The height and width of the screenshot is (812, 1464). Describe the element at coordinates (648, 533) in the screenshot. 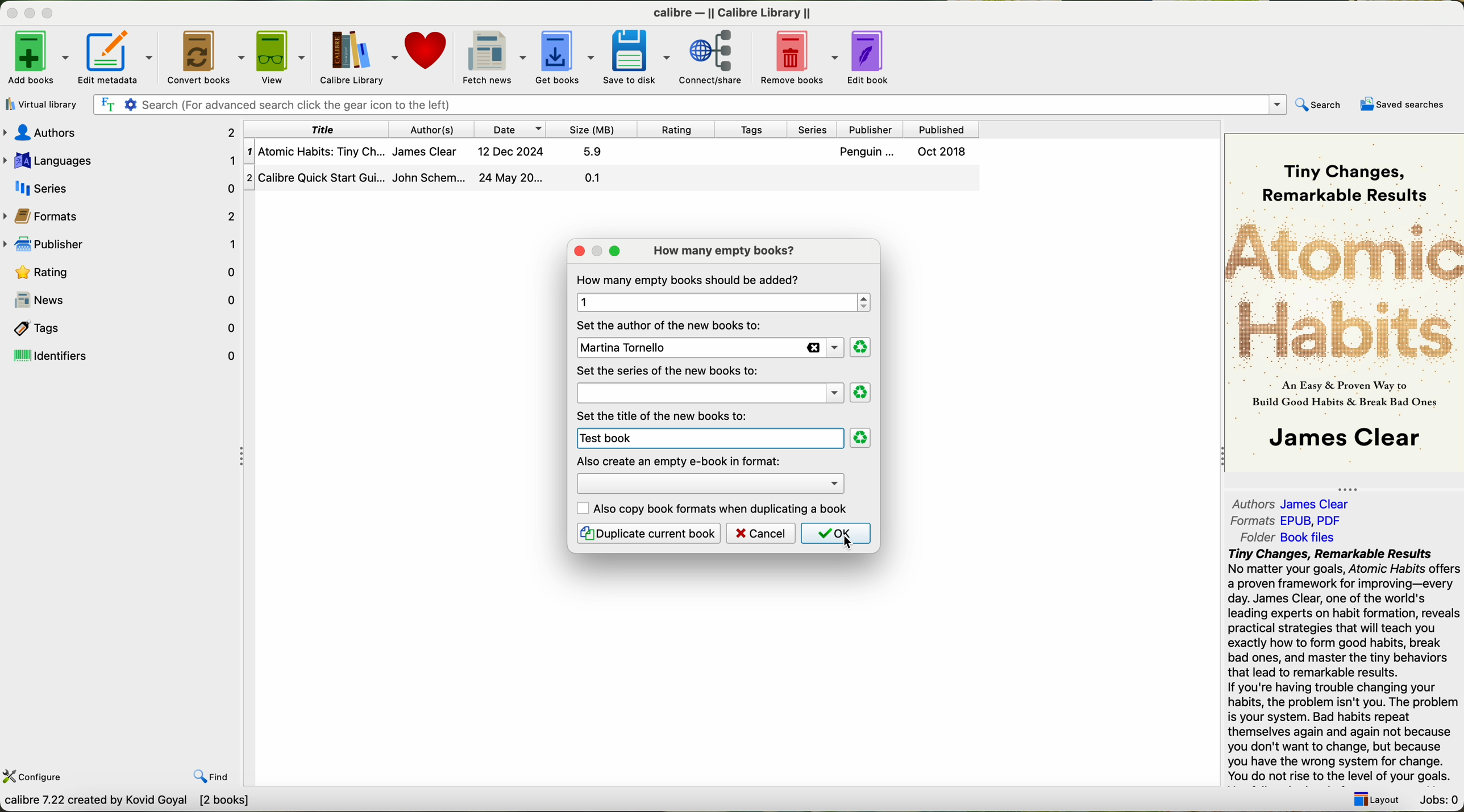

I see `duplicate current book` at that location.